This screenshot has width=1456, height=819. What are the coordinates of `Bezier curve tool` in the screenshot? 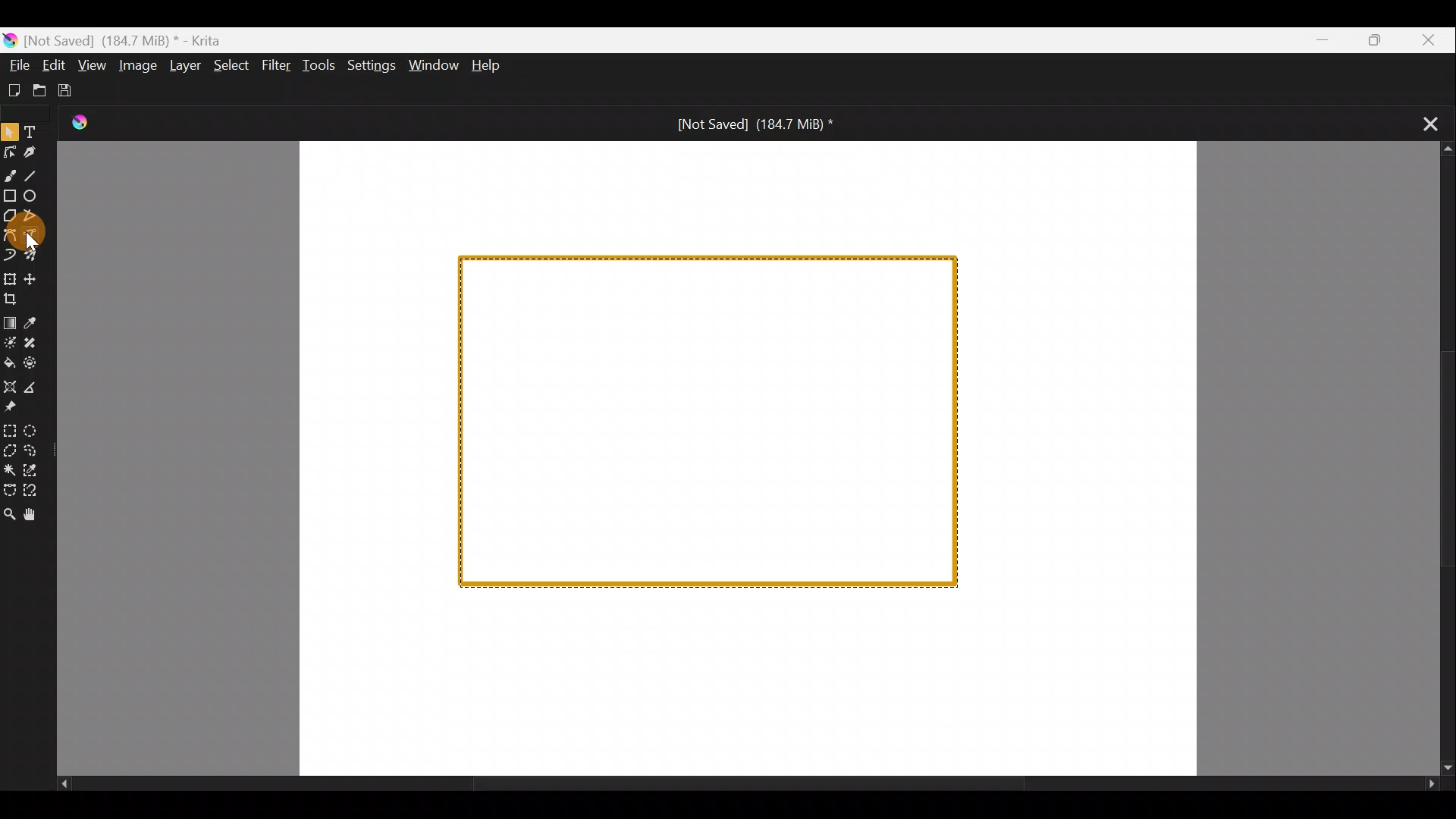 It's located at (11, 236).